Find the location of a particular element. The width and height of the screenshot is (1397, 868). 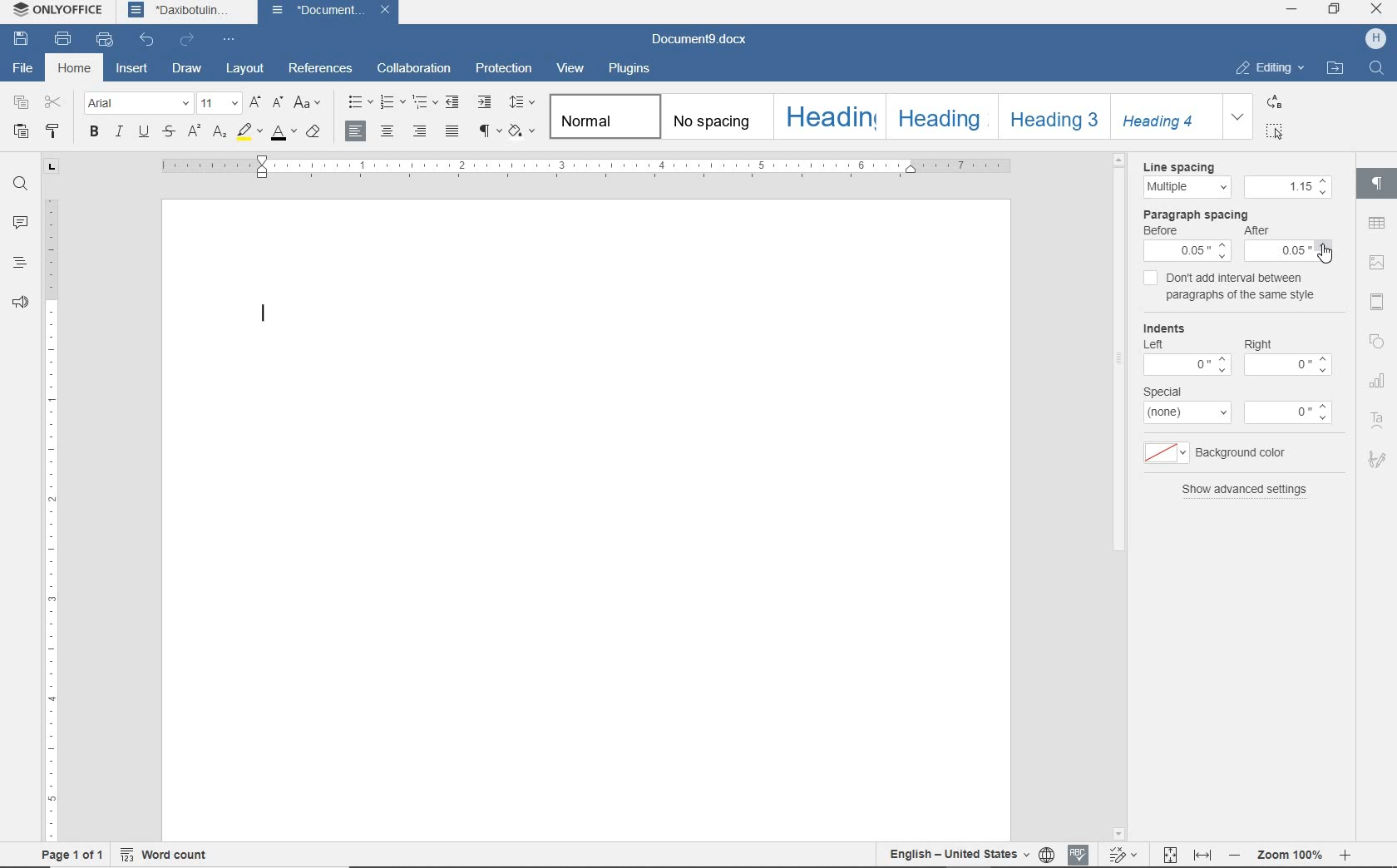

background color is located at coordinates (1166, 455).